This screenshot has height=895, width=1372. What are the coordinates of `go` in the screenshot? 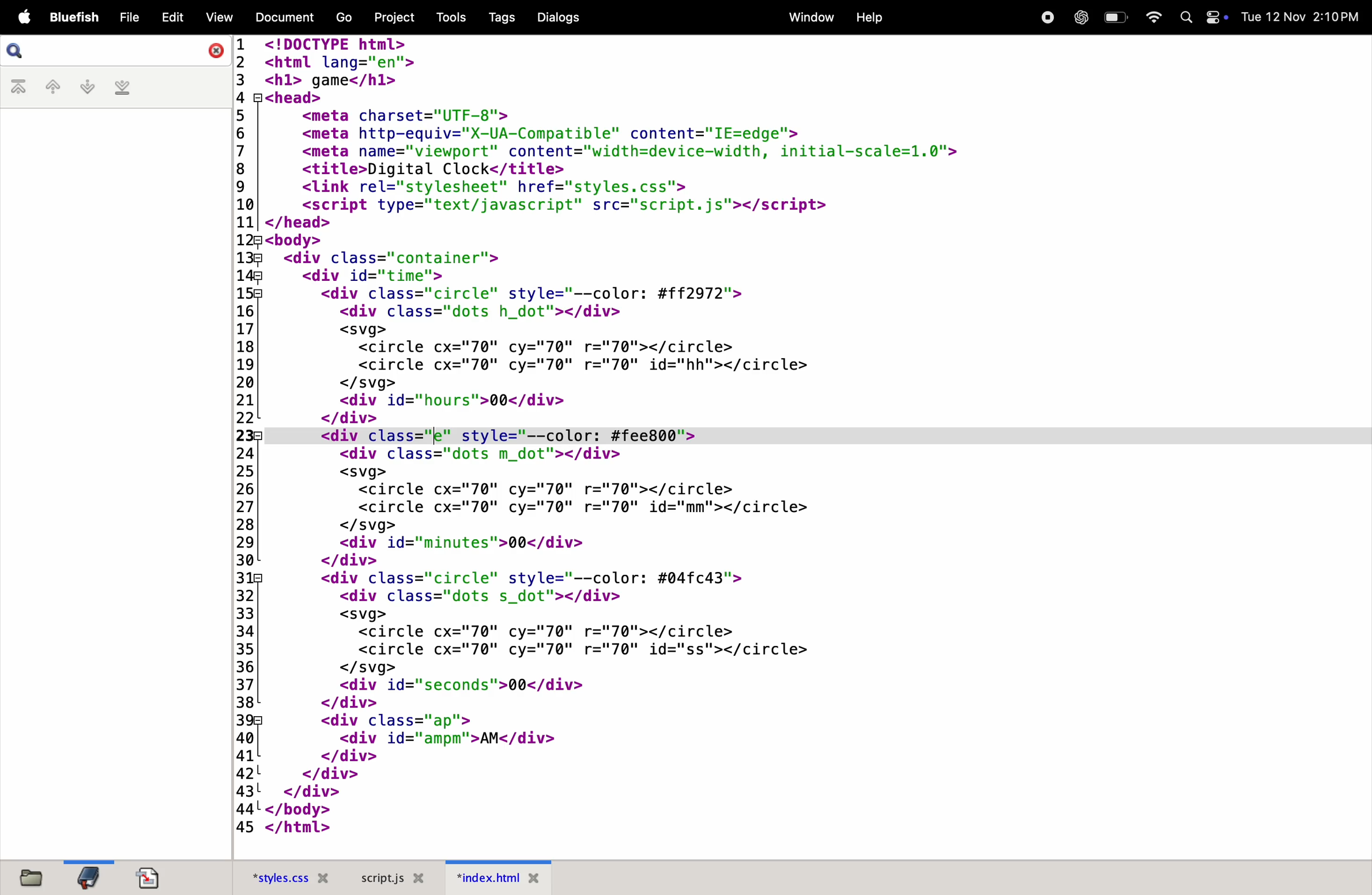 It's located at (342, 17).